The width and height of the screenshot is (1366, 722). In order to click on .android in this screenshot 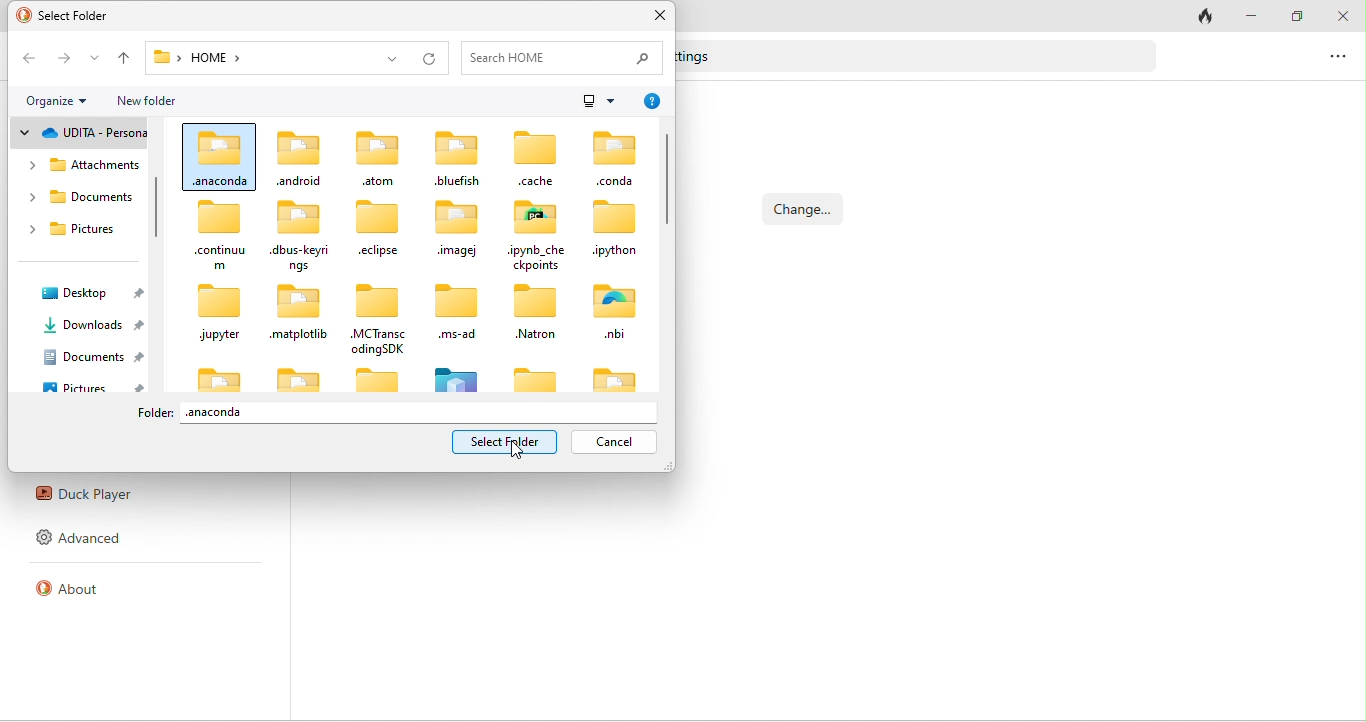, I will do `click(300, 156)`.